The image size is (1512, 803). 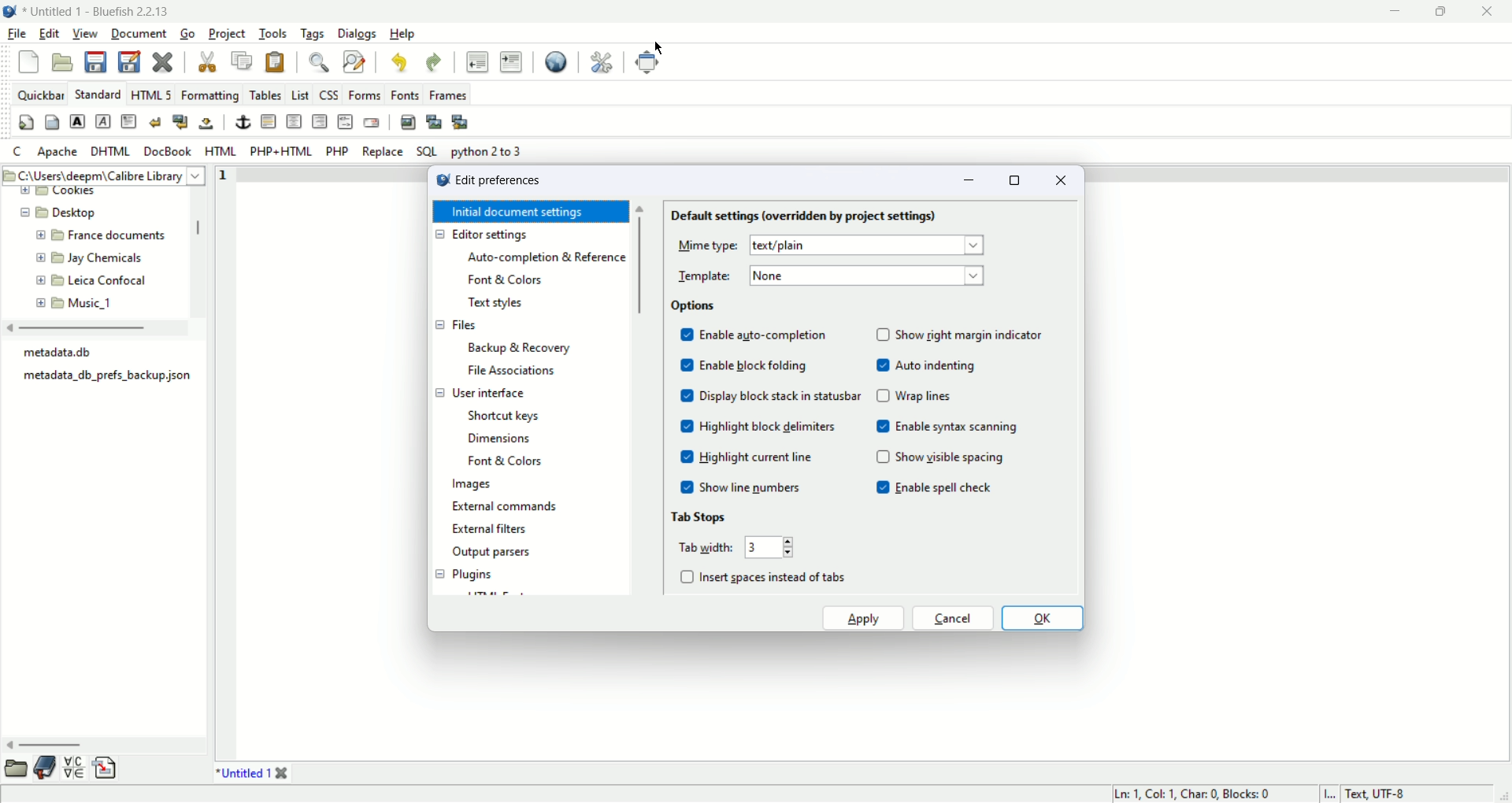 I want to click on python 2 to 3, so click(x=487, y=153).